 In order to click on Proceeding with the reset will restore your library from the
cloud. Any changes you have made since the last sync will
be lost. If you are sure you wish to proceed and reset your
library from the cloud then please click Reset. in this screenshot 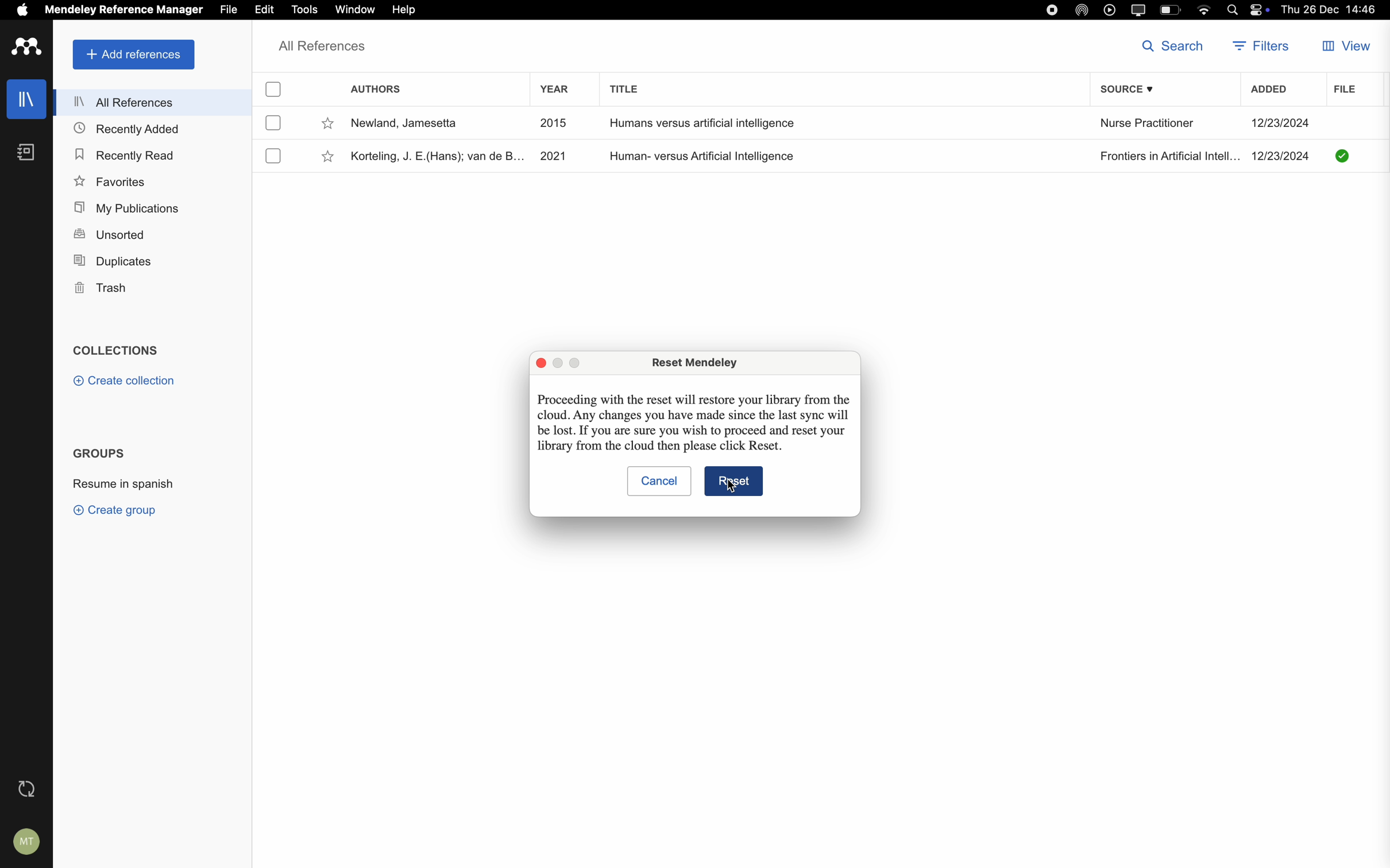, I will do `click(694, 423)`.